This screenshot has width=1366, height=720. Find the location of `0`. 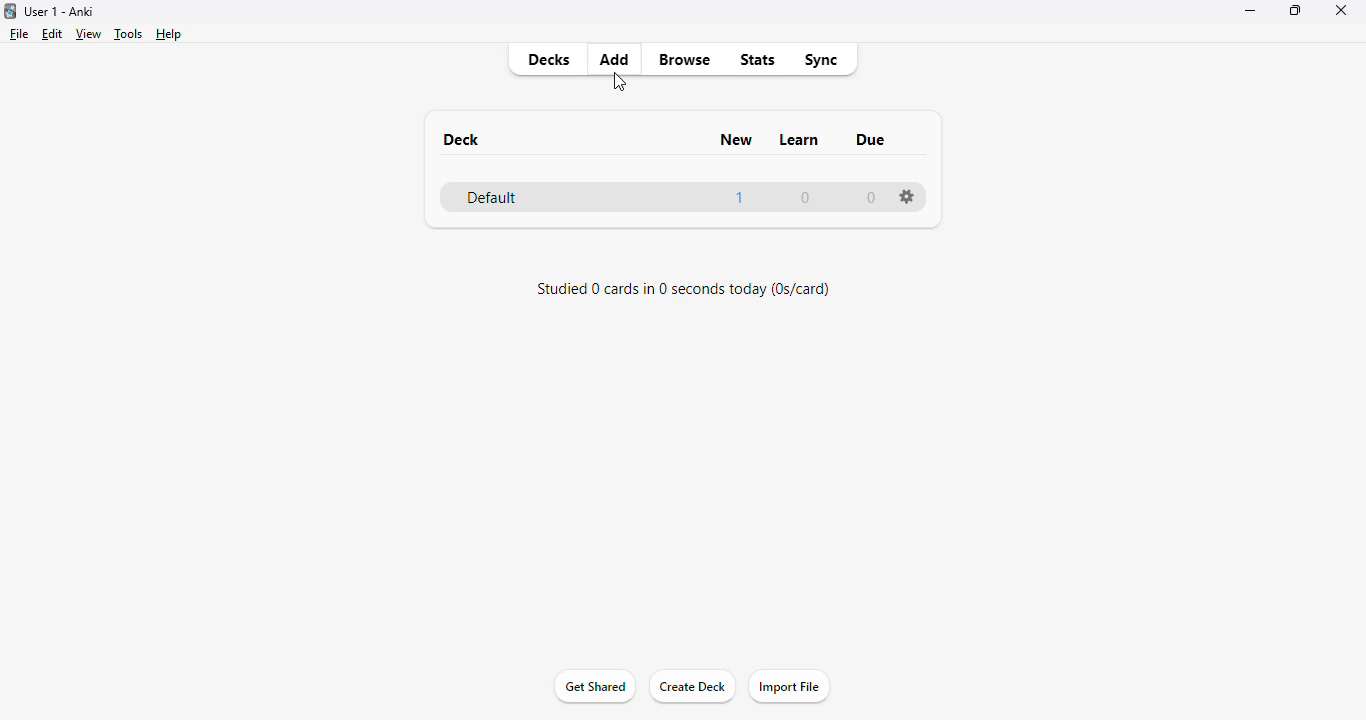

0 is located at coordinates (871, 198).